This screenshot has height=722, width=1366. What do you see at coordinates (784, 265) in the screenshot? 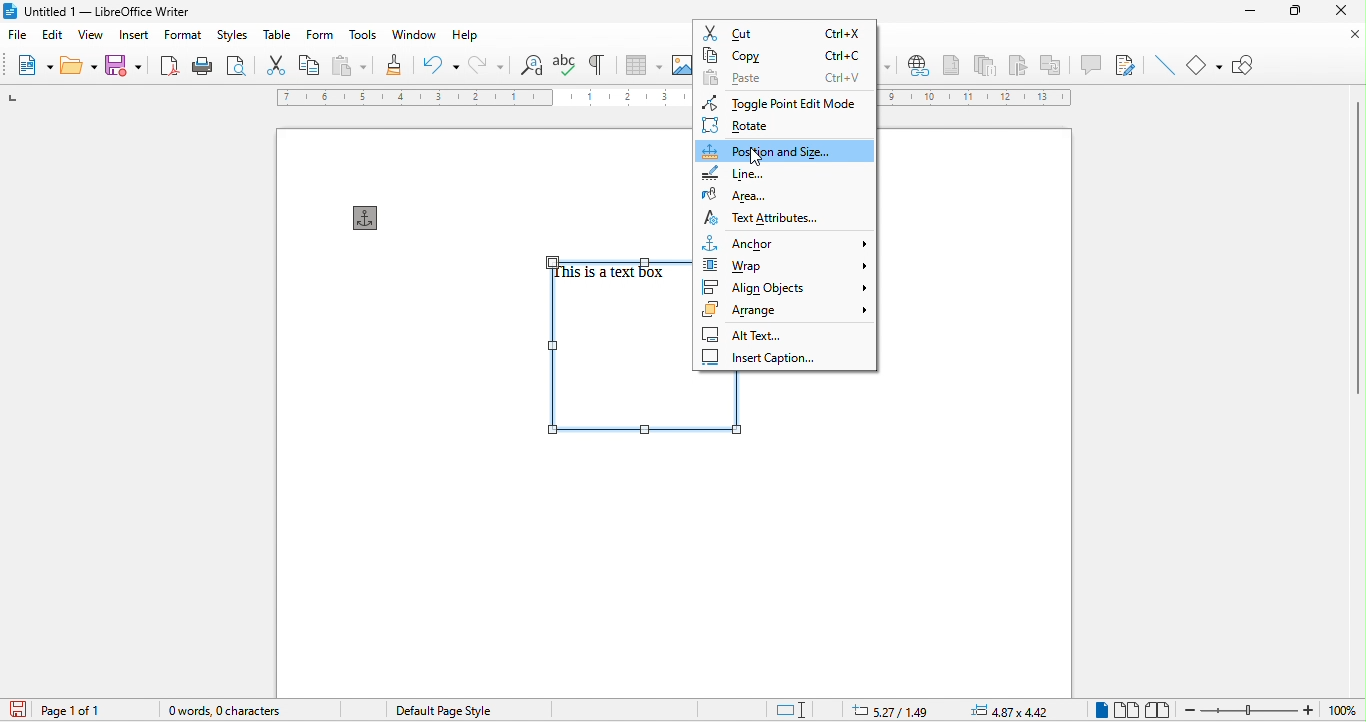
I see `wrap` at bounding box center [784, 265].